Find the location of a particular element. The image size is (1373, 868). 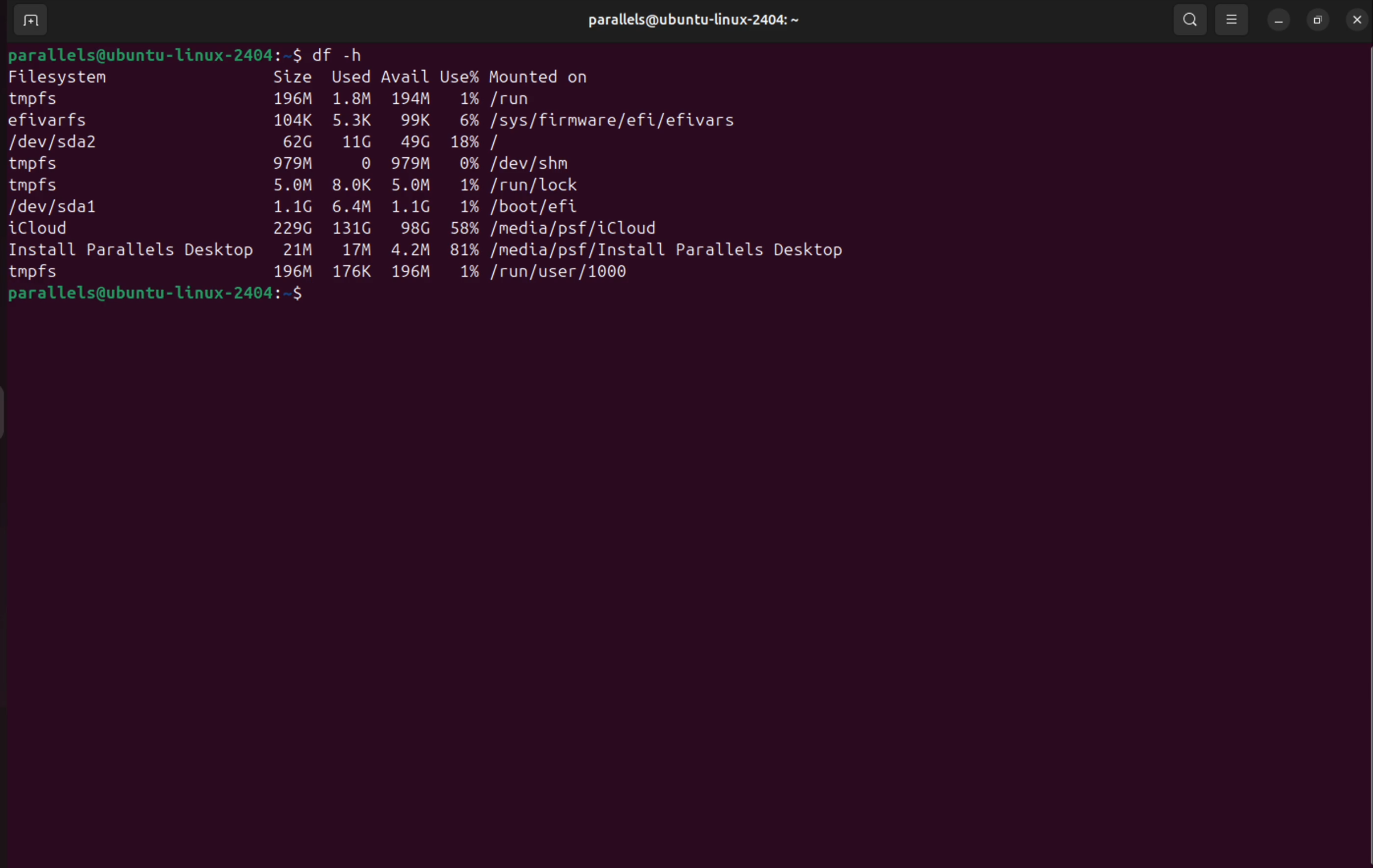

1% is located at coordinates (470, 186).